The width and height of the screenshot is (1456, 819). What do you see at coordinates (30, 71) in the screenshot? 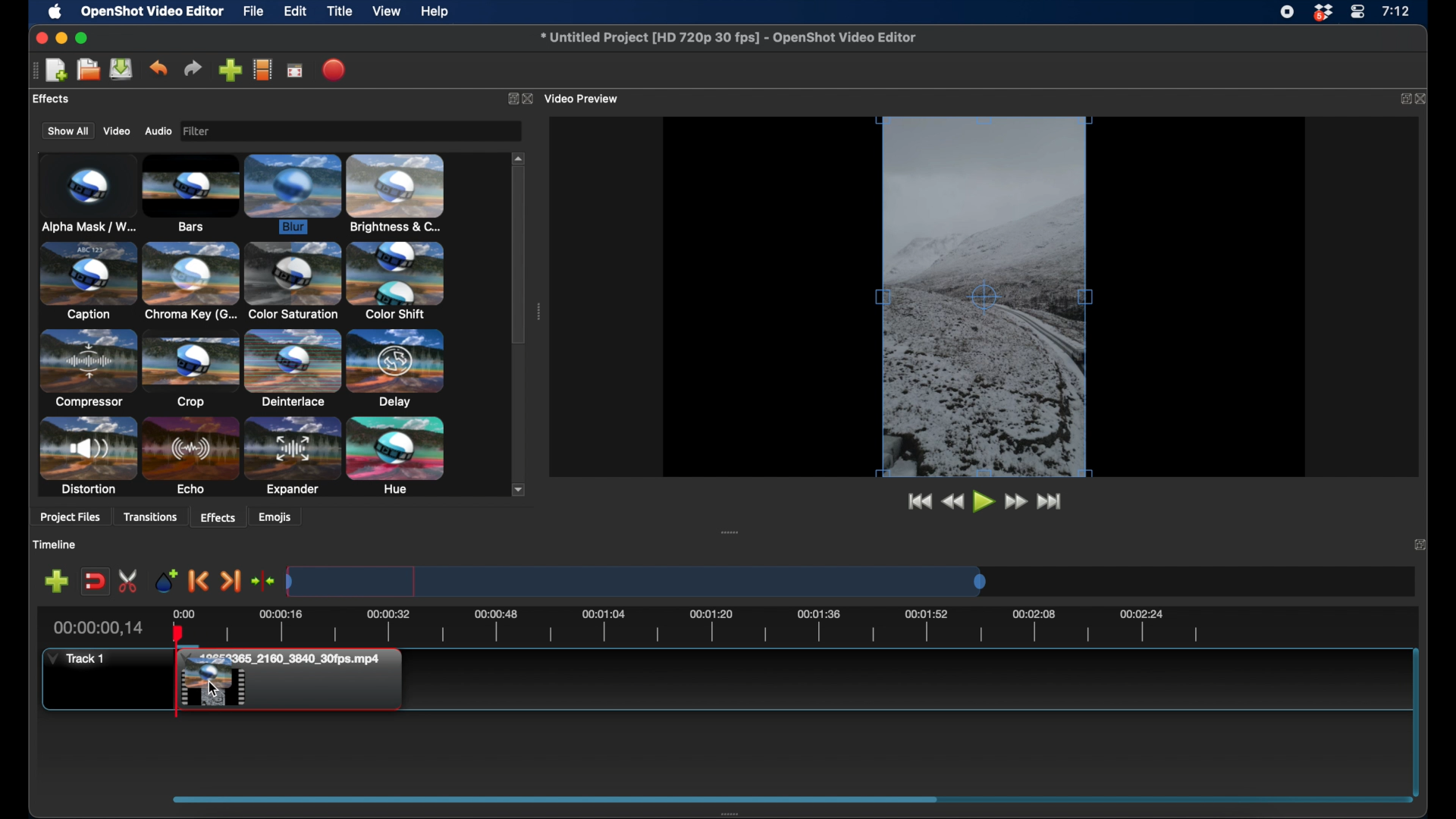
I see `drag handle` at bounding box center [30, 71].